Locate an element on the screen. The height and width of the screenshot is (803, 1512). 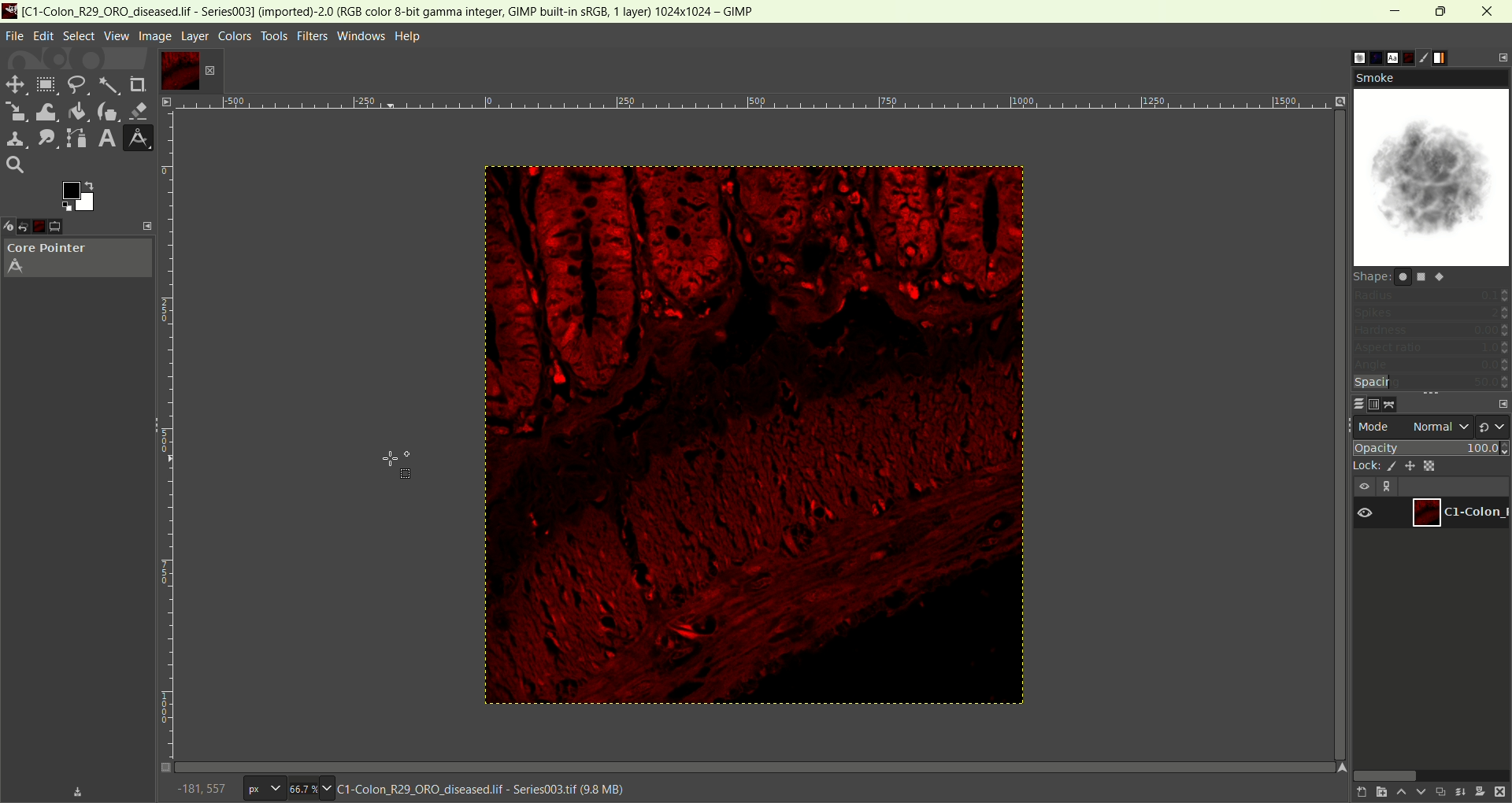
coordinates is located at coordinates (201, 787).